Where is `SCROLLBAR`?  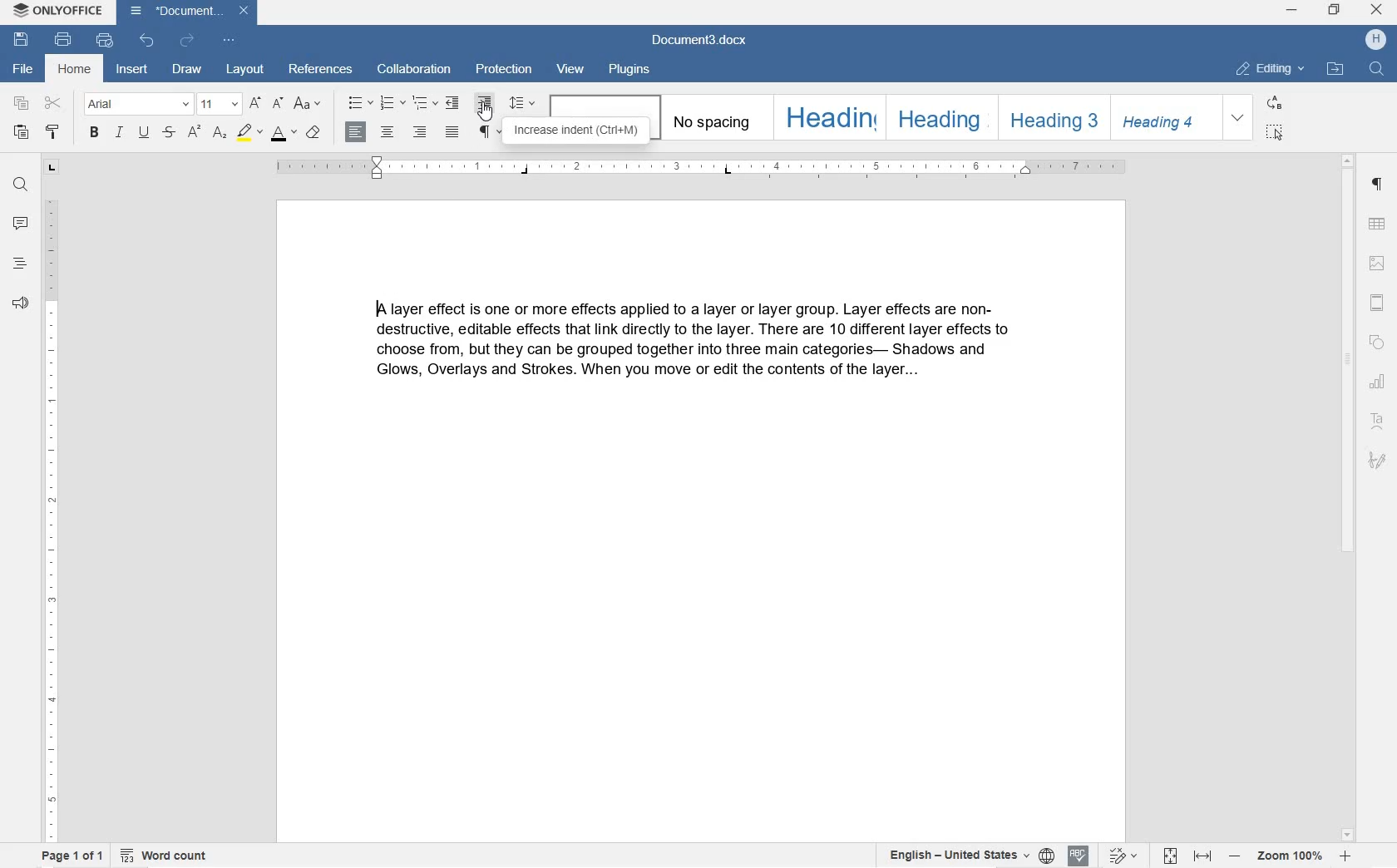 SCROLLBAR is located at coordinates (1345, 497).